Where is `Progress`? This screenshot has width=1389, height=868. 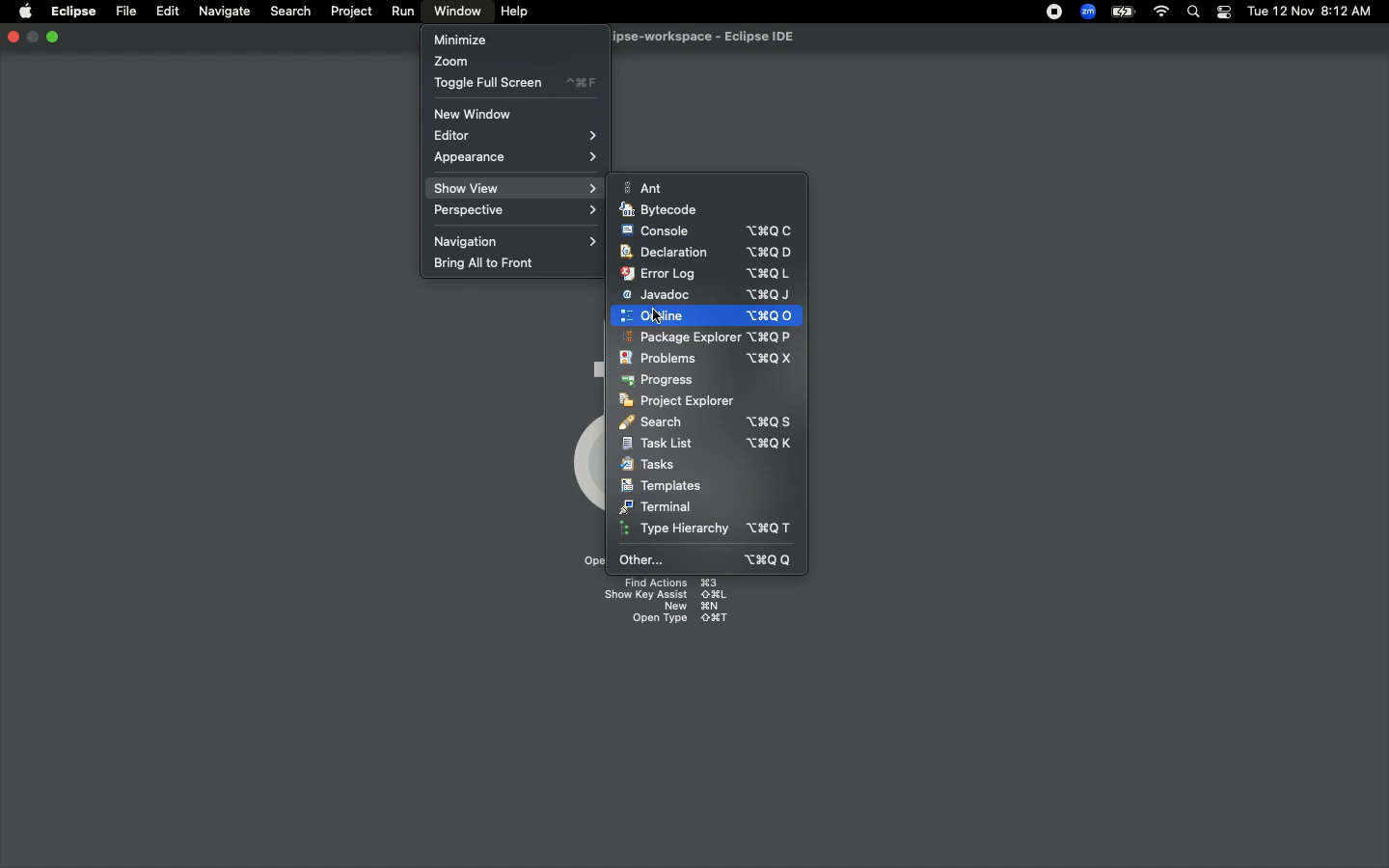 Progress is located at coordinates (661, 381).